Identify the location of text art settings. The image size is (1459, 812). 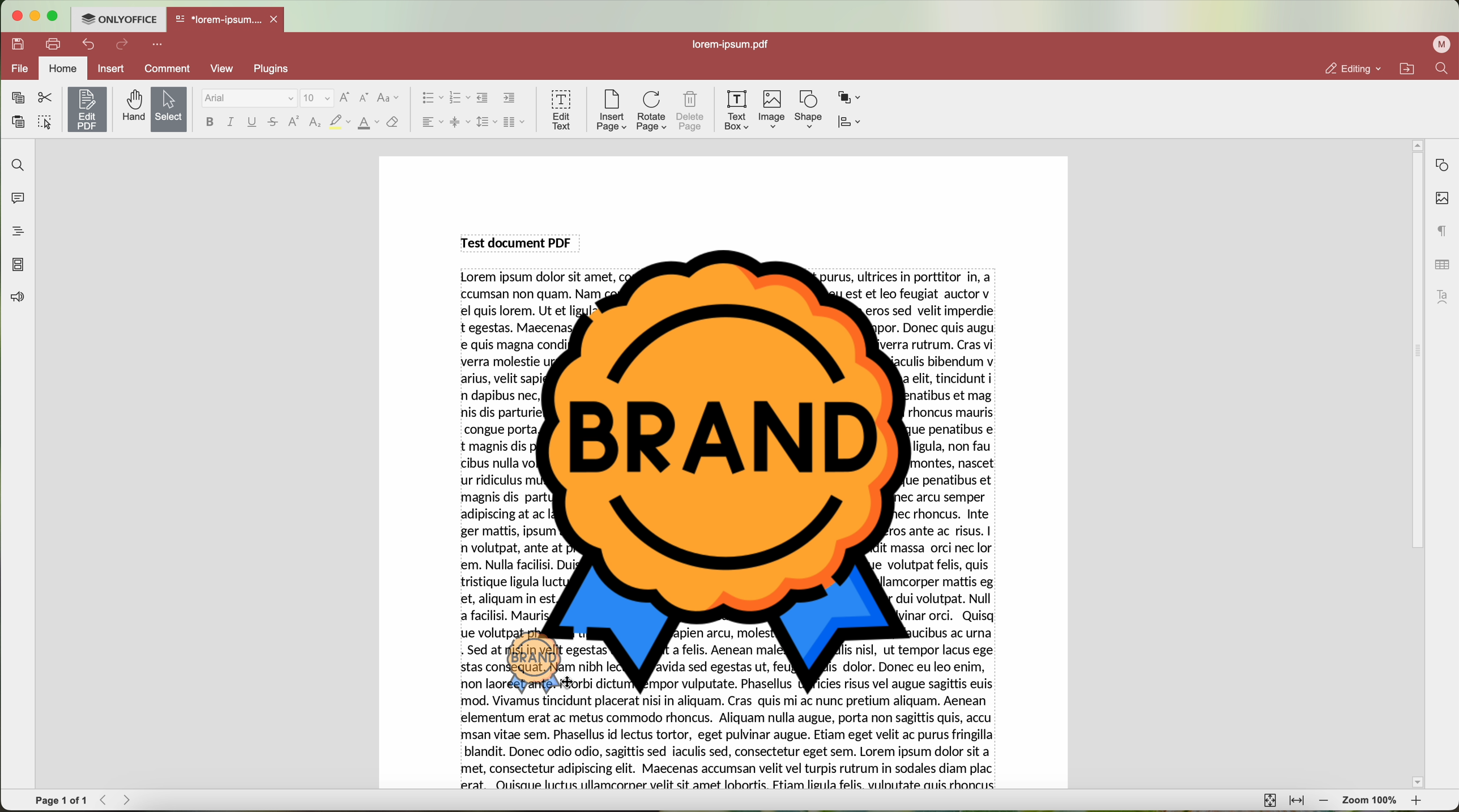
(1445, 297).